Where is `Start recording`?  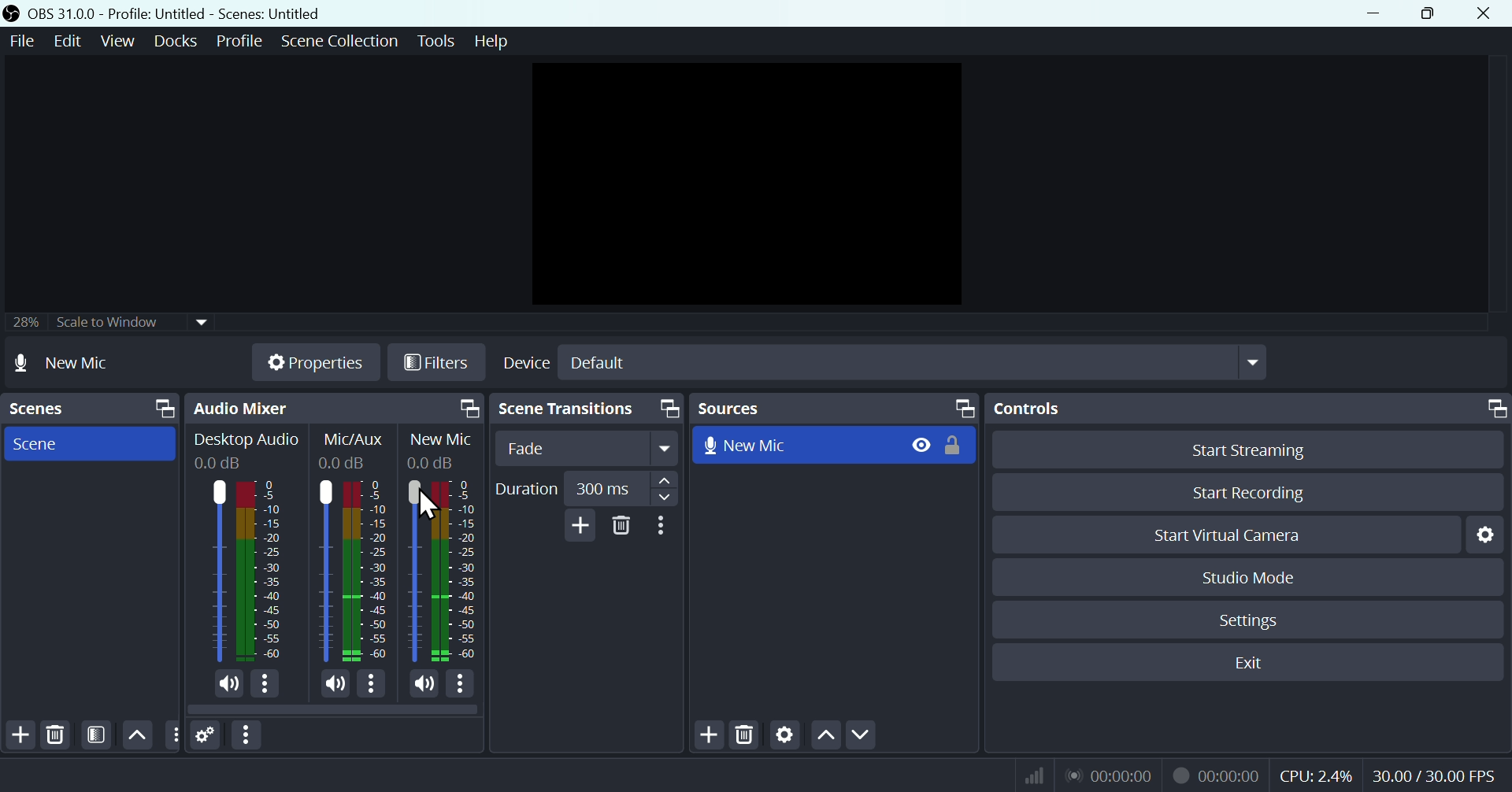 Start recording is located at coordinates (1251, 492).